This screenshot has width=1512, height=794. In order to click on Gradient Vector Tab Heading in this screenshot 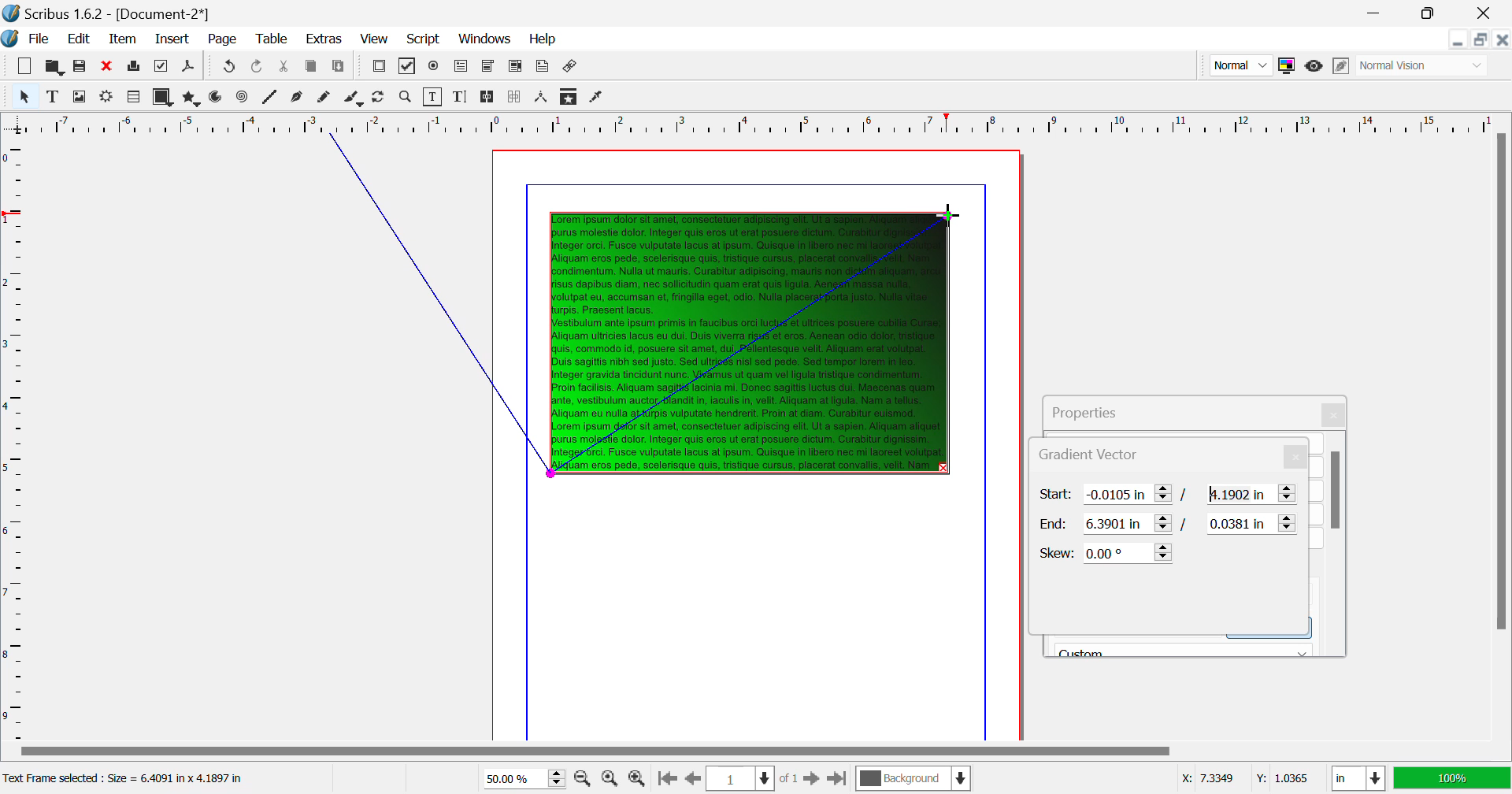, I will do `click(1043, 455)`.